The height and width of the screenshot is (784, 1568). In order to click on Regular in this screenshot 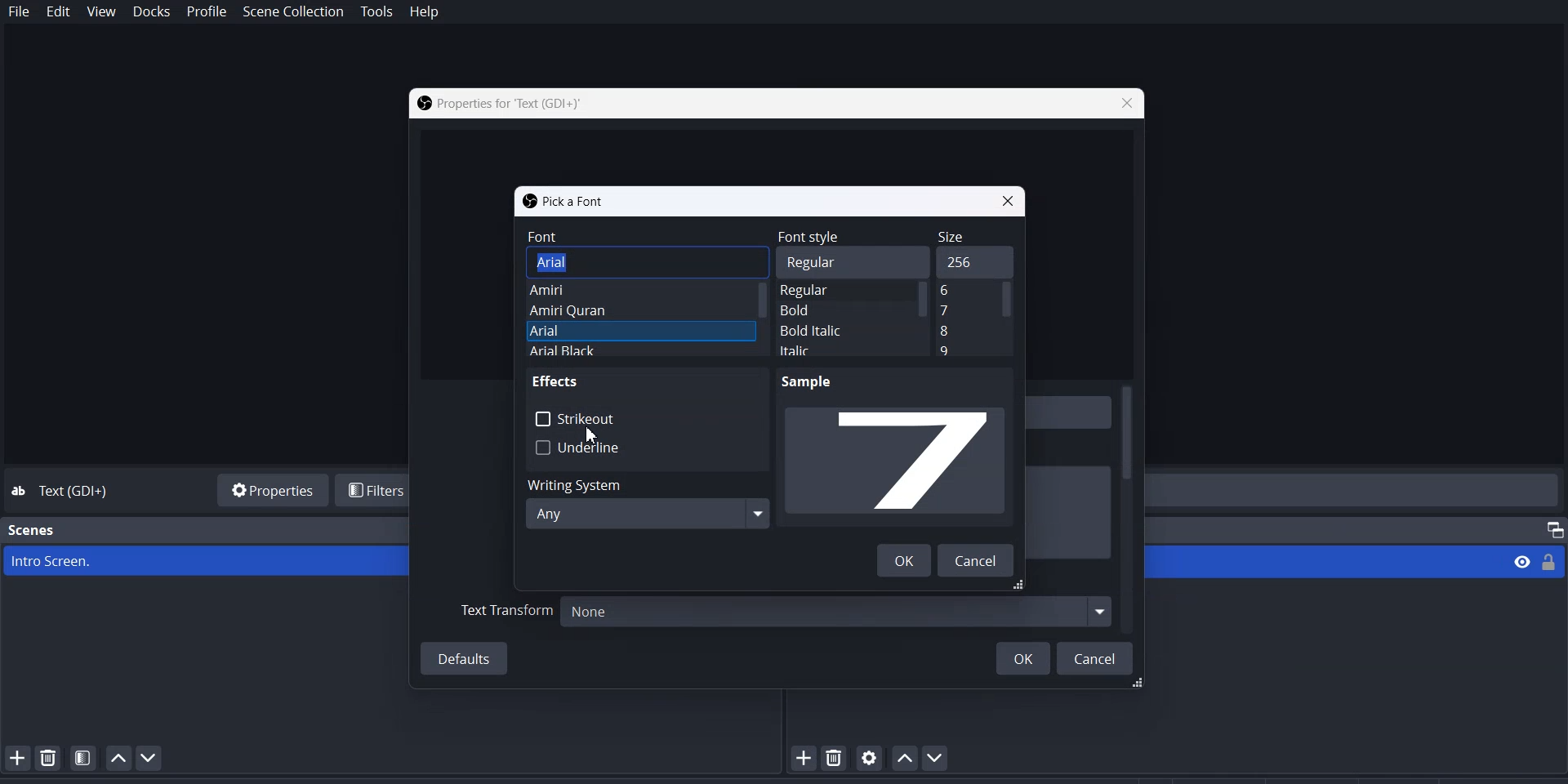, I will do `click(823, 292)`.